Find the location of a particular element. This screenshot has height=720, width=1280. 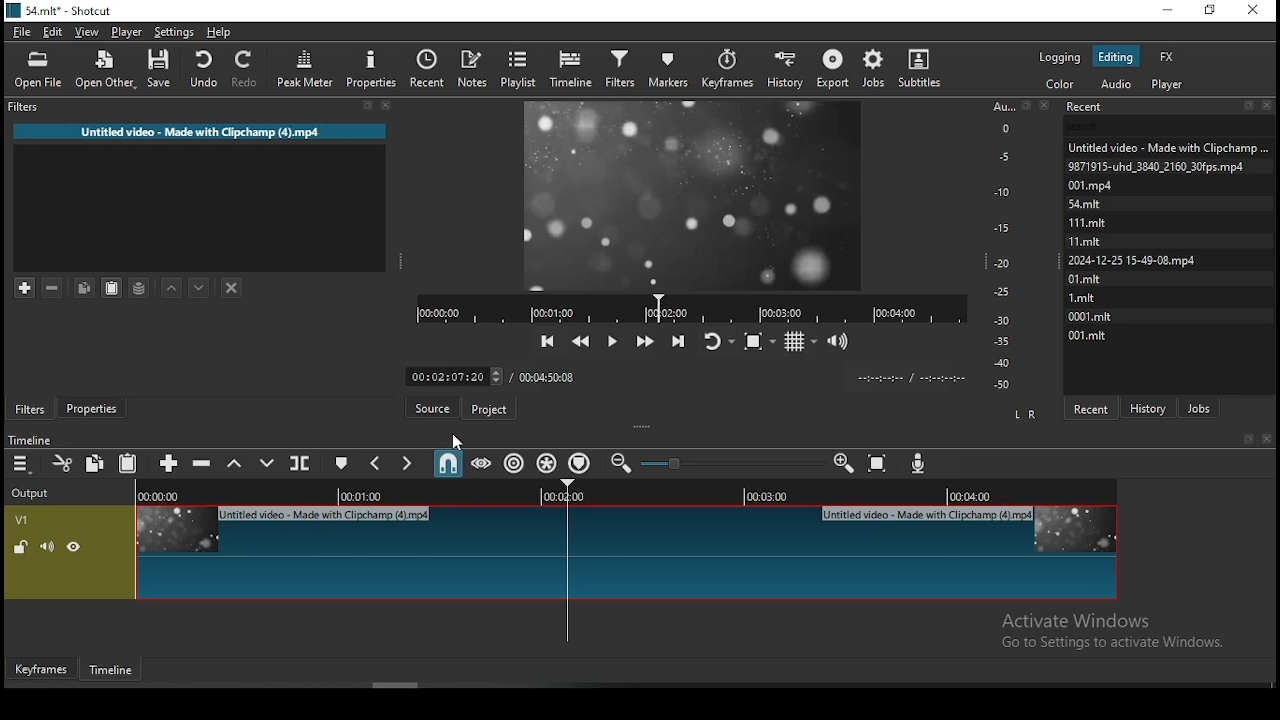

skip to the previous point is located at coordinates (544, 340).